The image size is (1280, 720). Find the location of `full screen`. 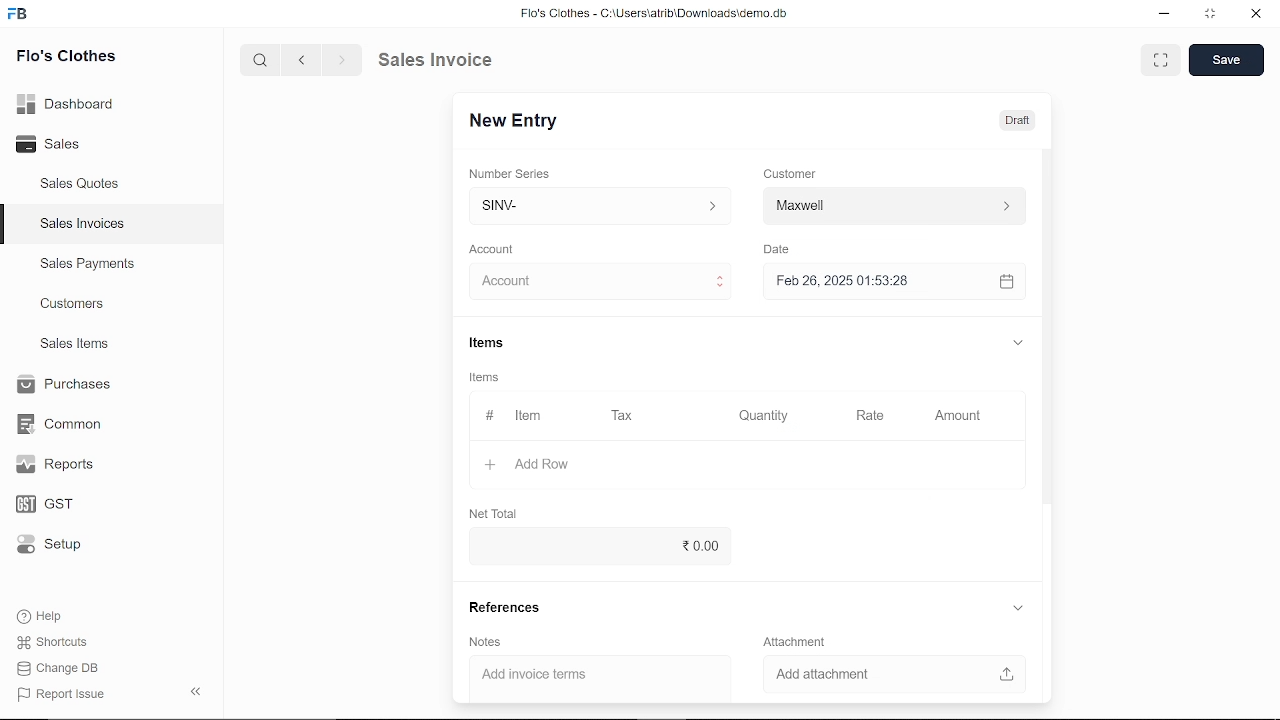

full screen is located at coordinates (1160, 60).